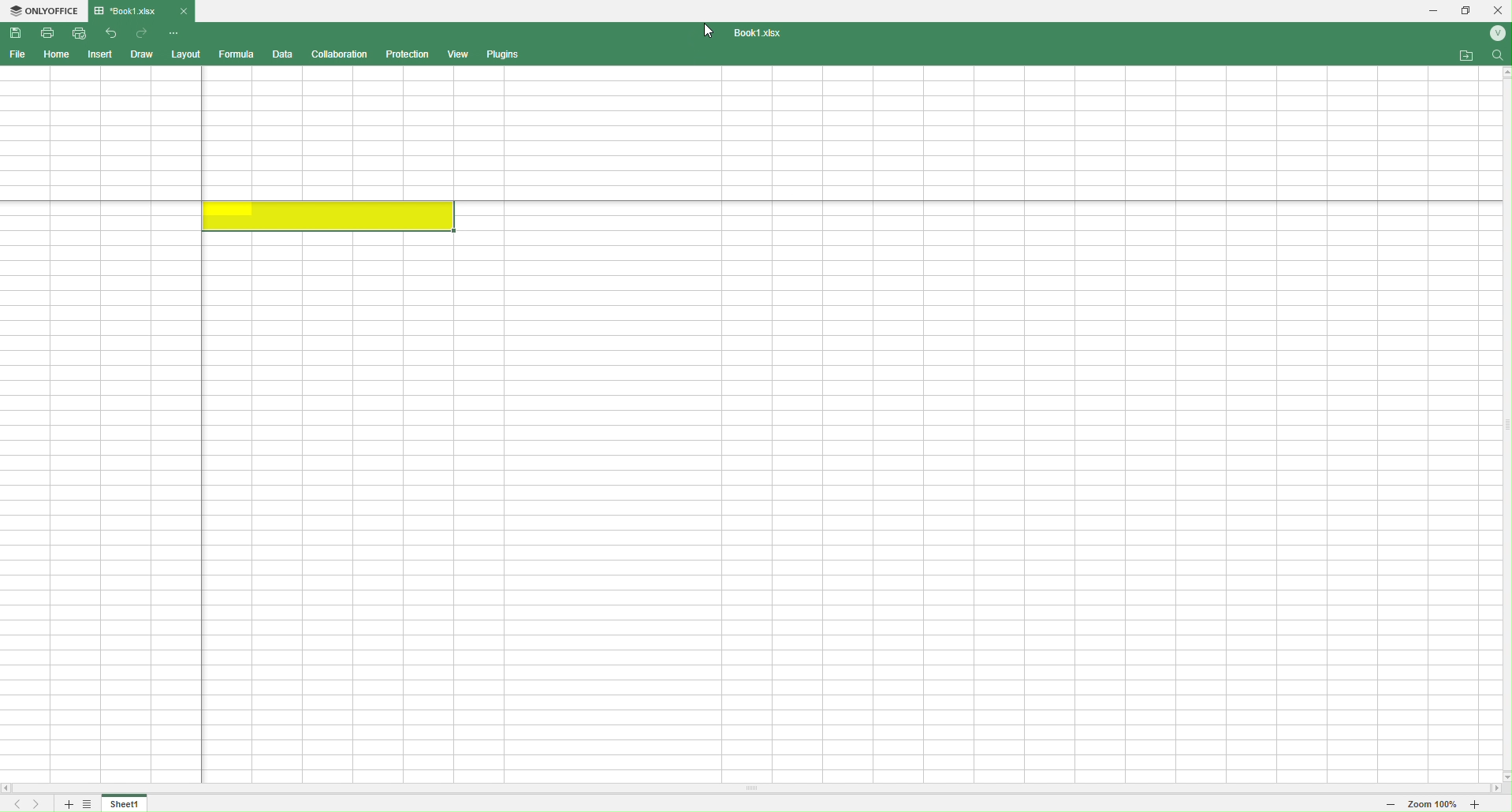 This screenshot has width=1512, height=812. I want to click on Close, so click(1498, 9).